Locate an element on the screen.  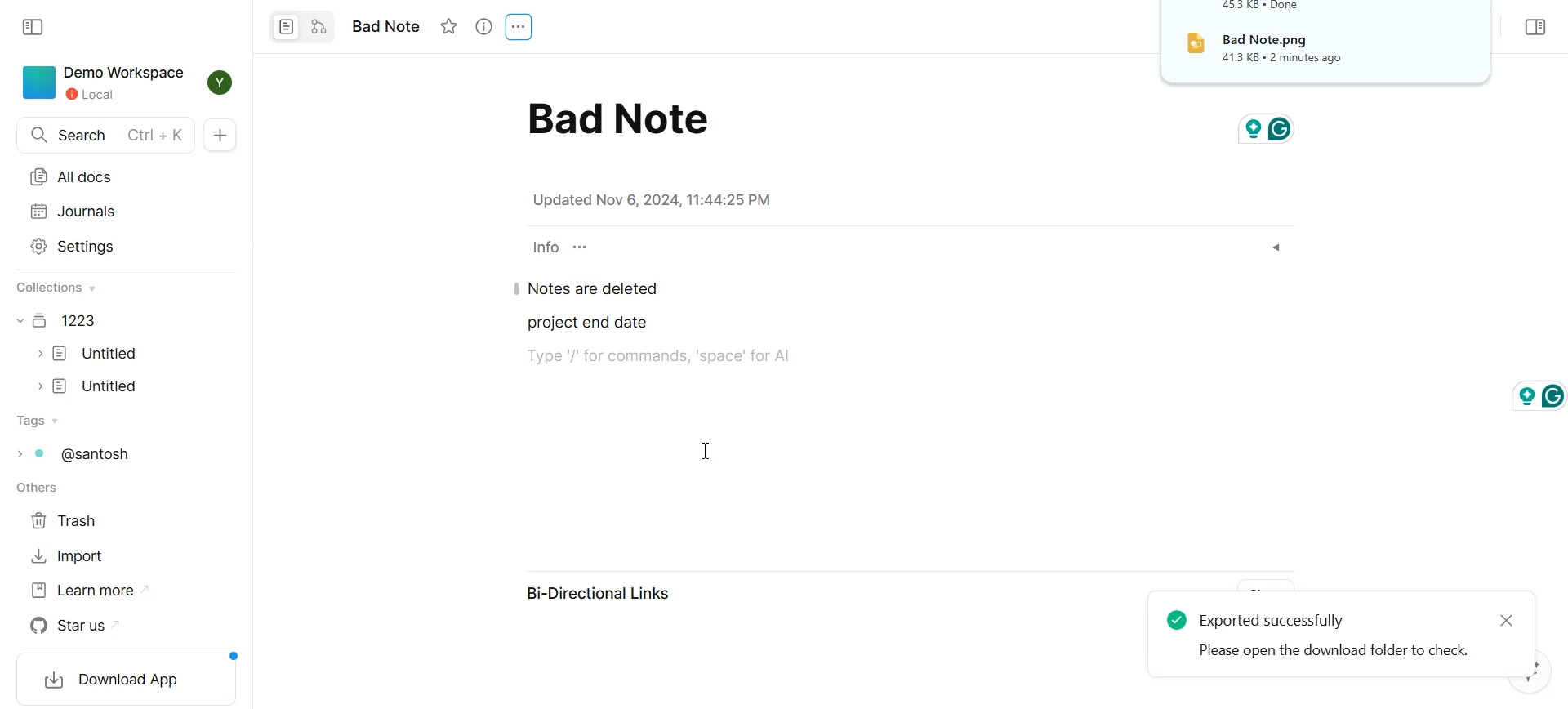
Star us is located at coordinates (75, 626).